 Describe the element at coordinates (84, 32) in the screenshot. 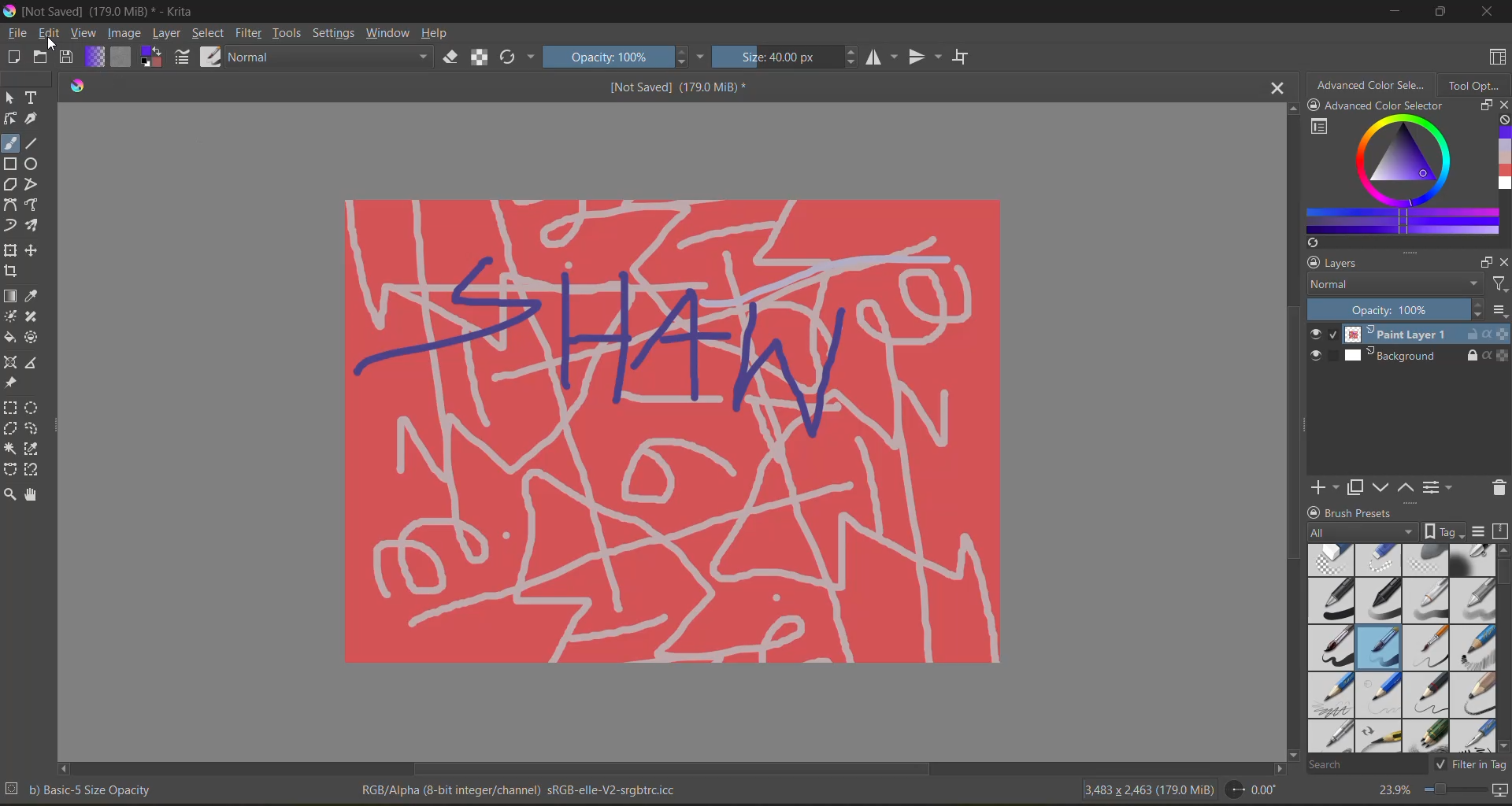

I see `view` at that location.